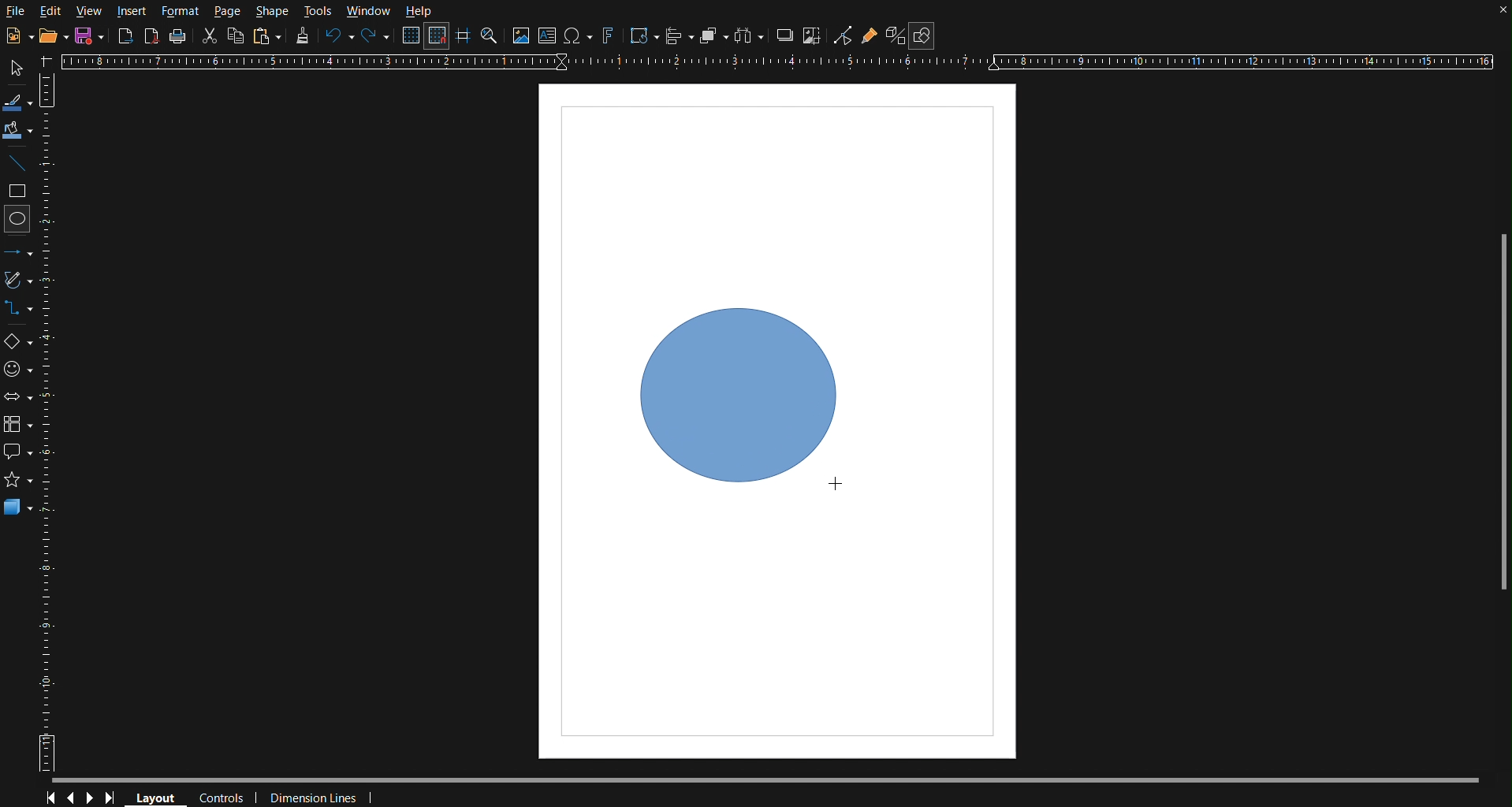 The image size is (1512, 807). Describe the element at coordinates (844, 37) in the screenshot. I see `Toggle Point Edit Mode` at that location.